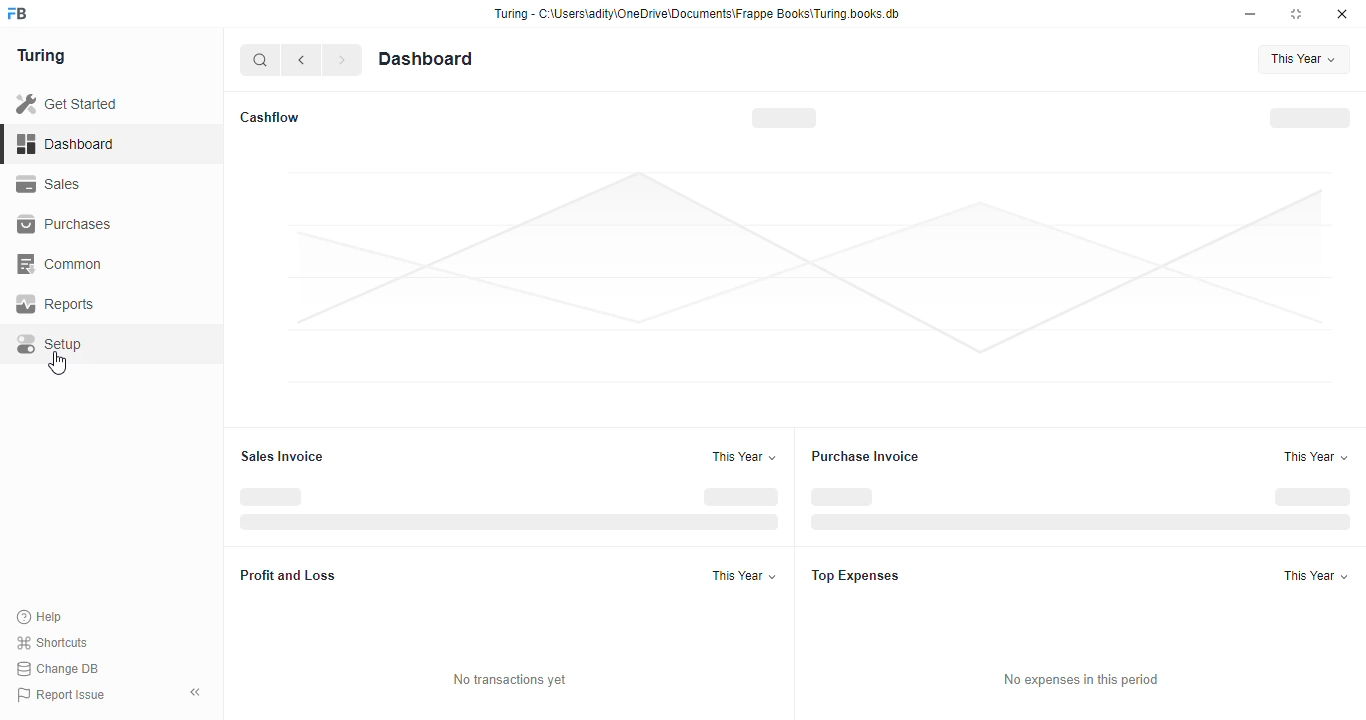 Image resolution: width=1366 pixels, height=720 pixels. Describe the element at coordinates (91, 102) in the screenshot. I see `Get Started` at that location.